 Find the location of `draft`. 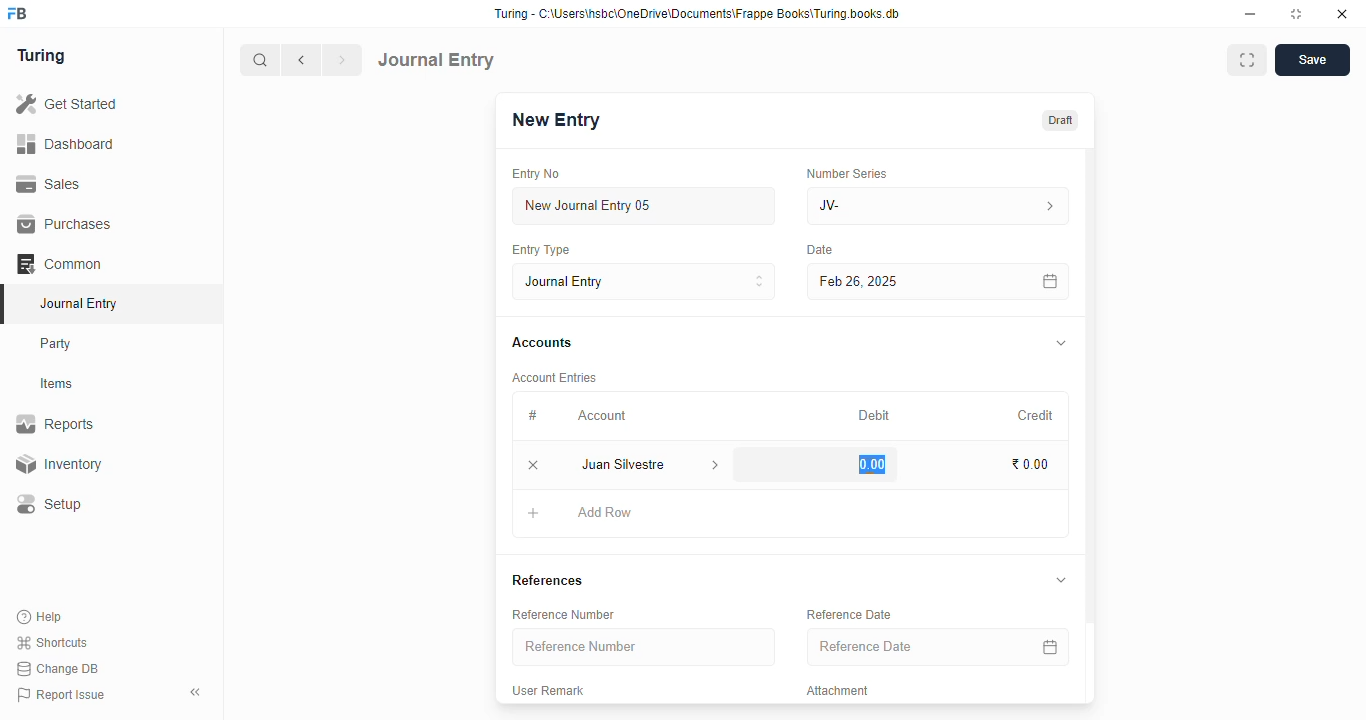

draft is located at coordinates (1059, 120).